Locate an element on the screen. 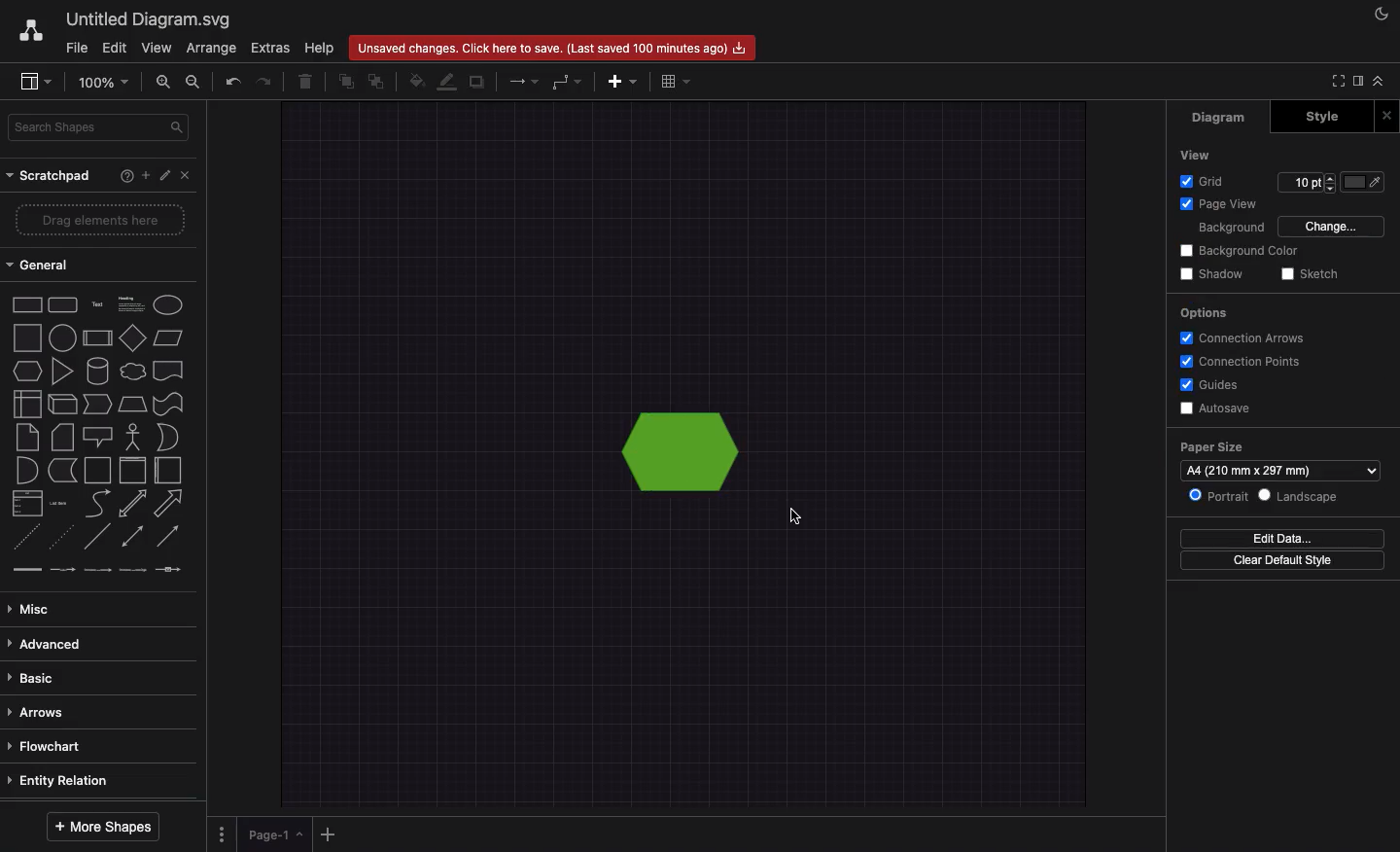 The height and width of the screenshot is (852, 1400). View is located at coordinates (157, 49).